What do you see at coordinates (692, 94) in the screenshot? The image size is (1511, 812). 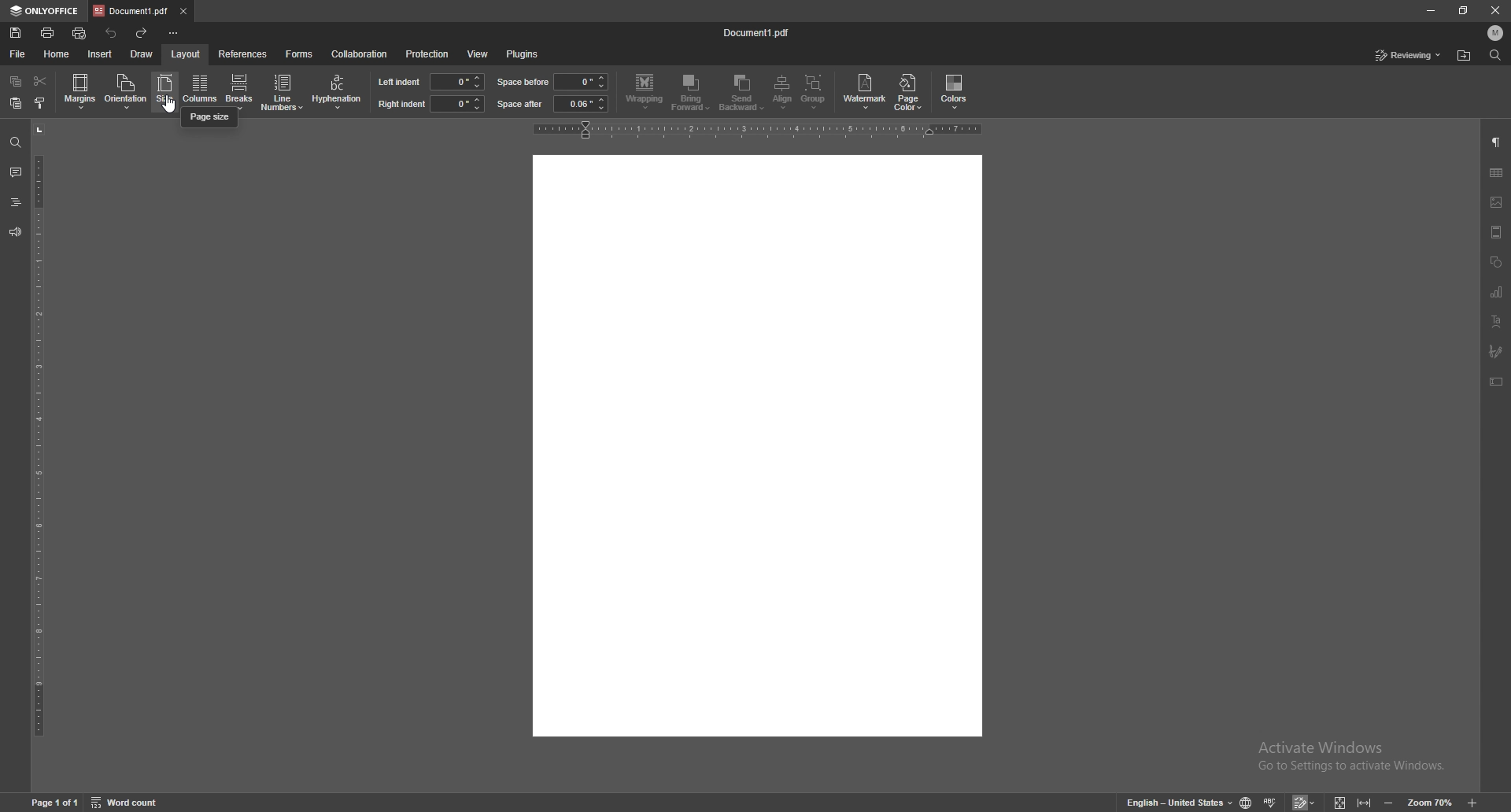 I see `bring forward` at bounding box center [692, 94].